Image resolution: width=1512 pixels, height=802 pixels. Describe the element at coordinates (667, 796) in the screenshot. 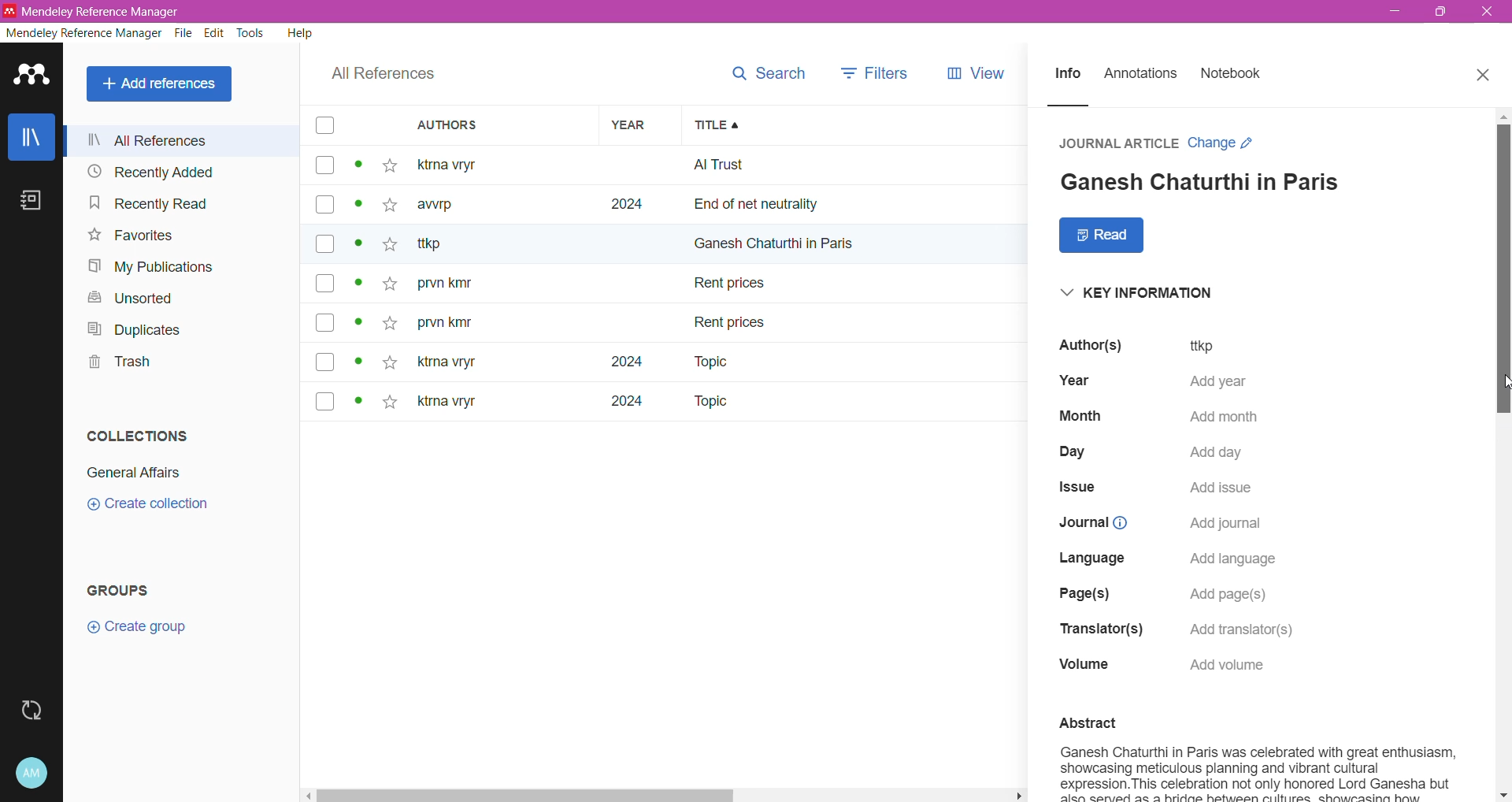

I see `Horizontal Scroll Bar` at that location.